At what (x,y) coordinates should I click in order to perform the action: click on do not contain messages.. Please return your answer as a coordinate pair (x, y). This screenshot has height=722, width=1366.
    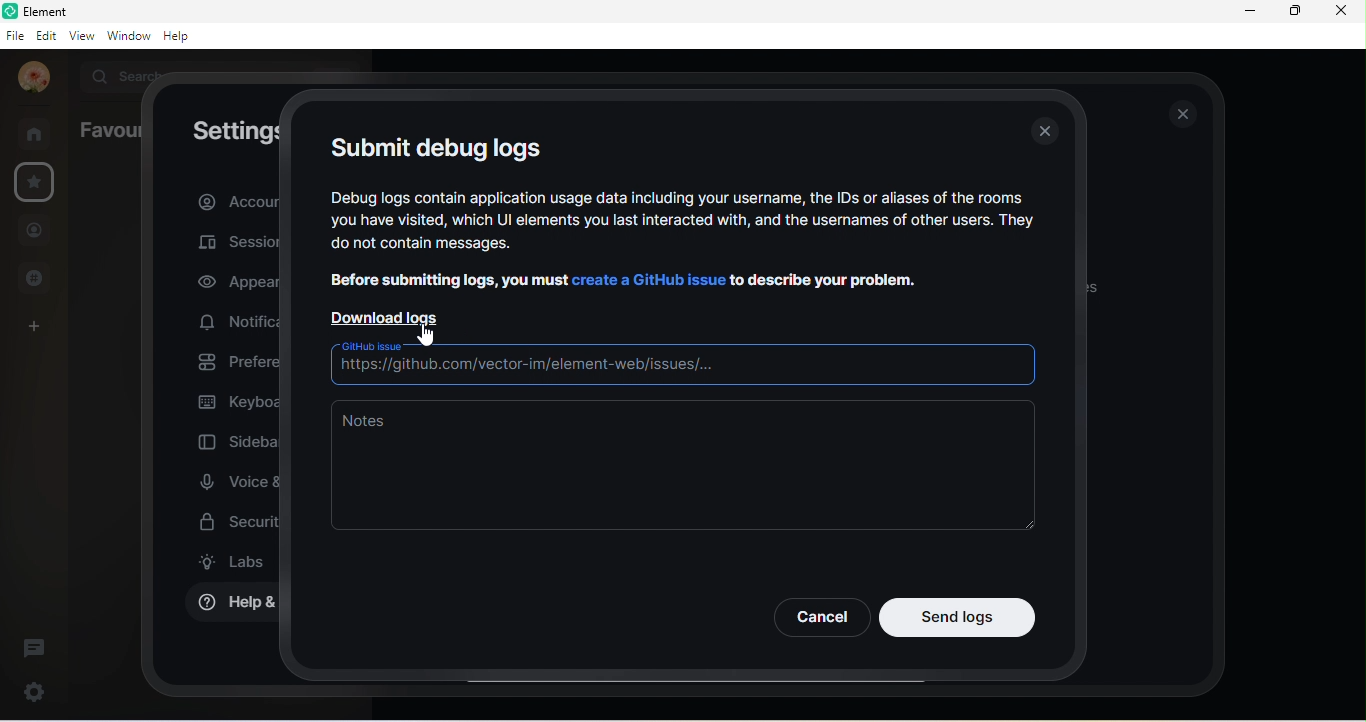
    Looking at the image, I should click on (461, 246).